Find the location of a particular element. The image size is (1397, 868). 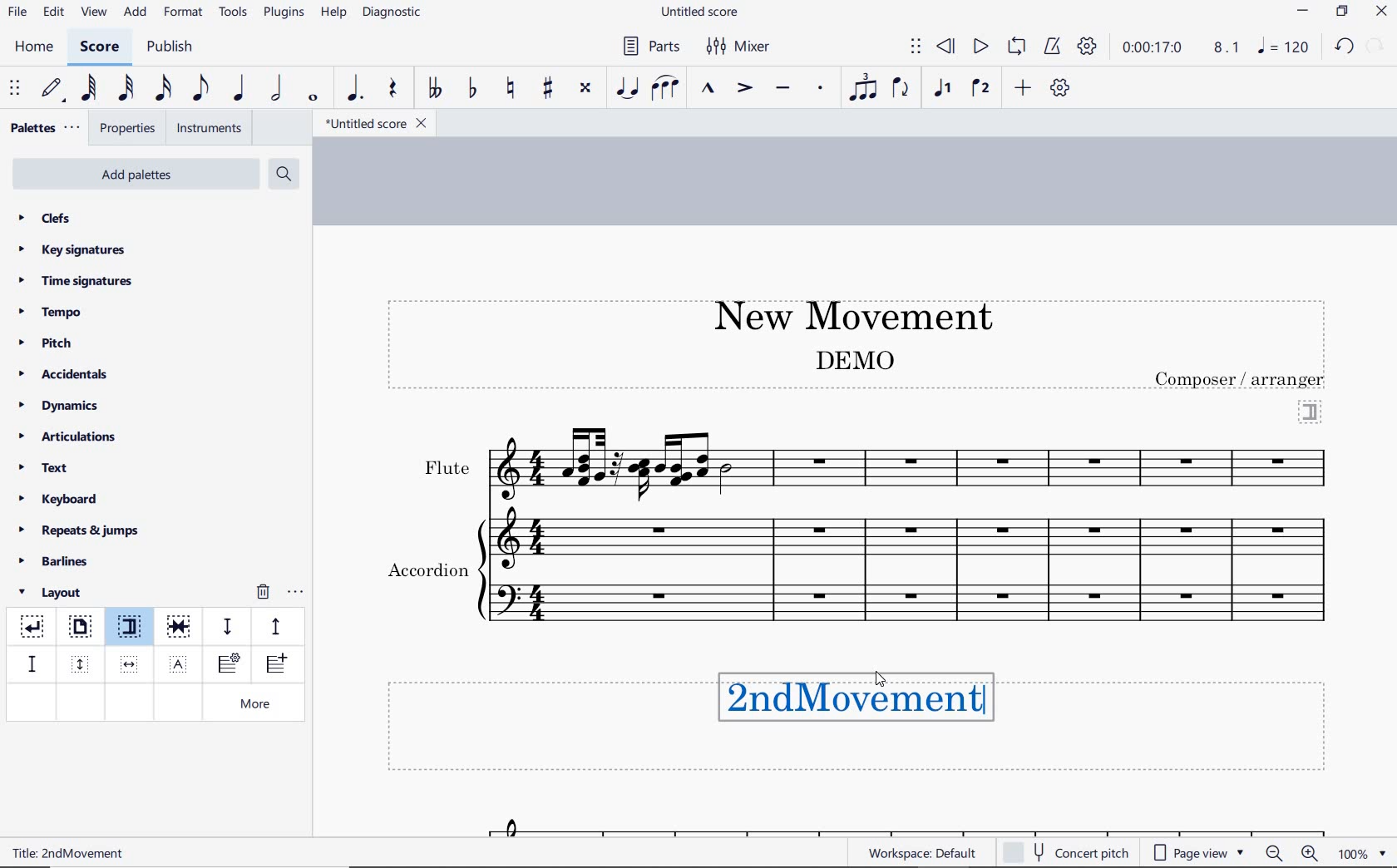

flip direction is located at coordinates (901, 86).